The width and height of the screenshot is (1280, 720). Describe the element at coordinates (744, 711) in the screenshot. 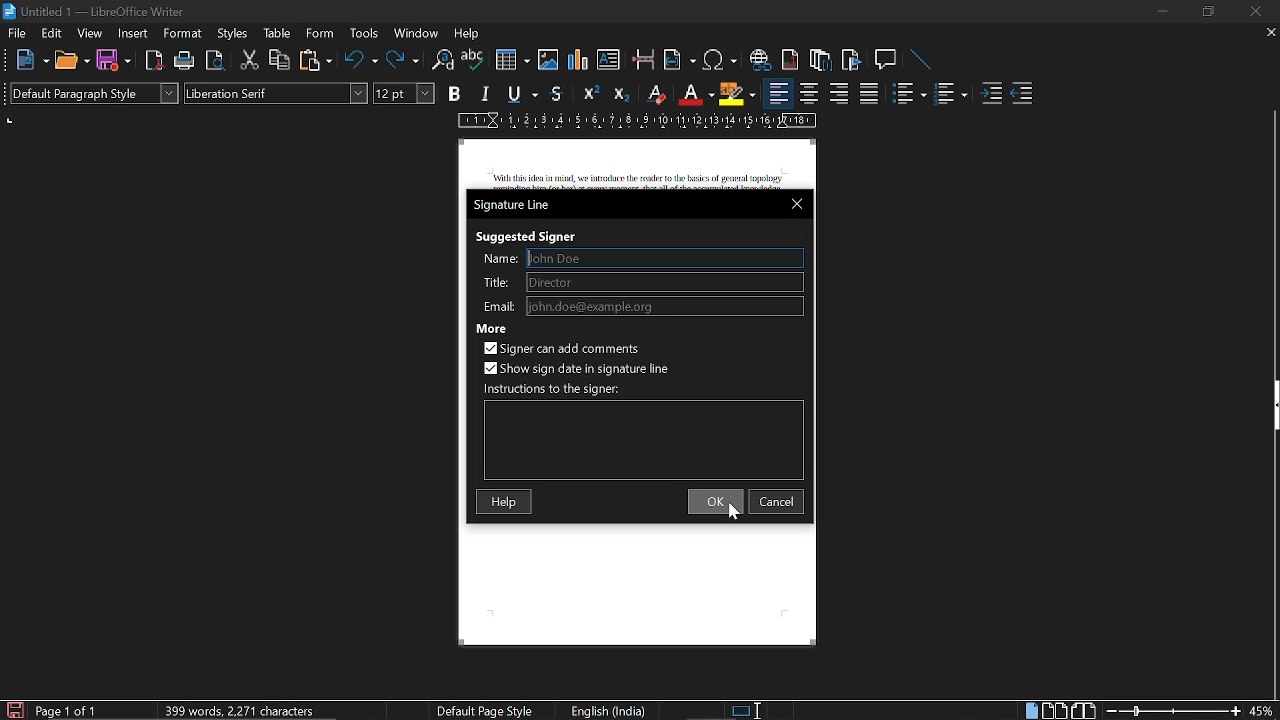

I see `standard selection` at that location.